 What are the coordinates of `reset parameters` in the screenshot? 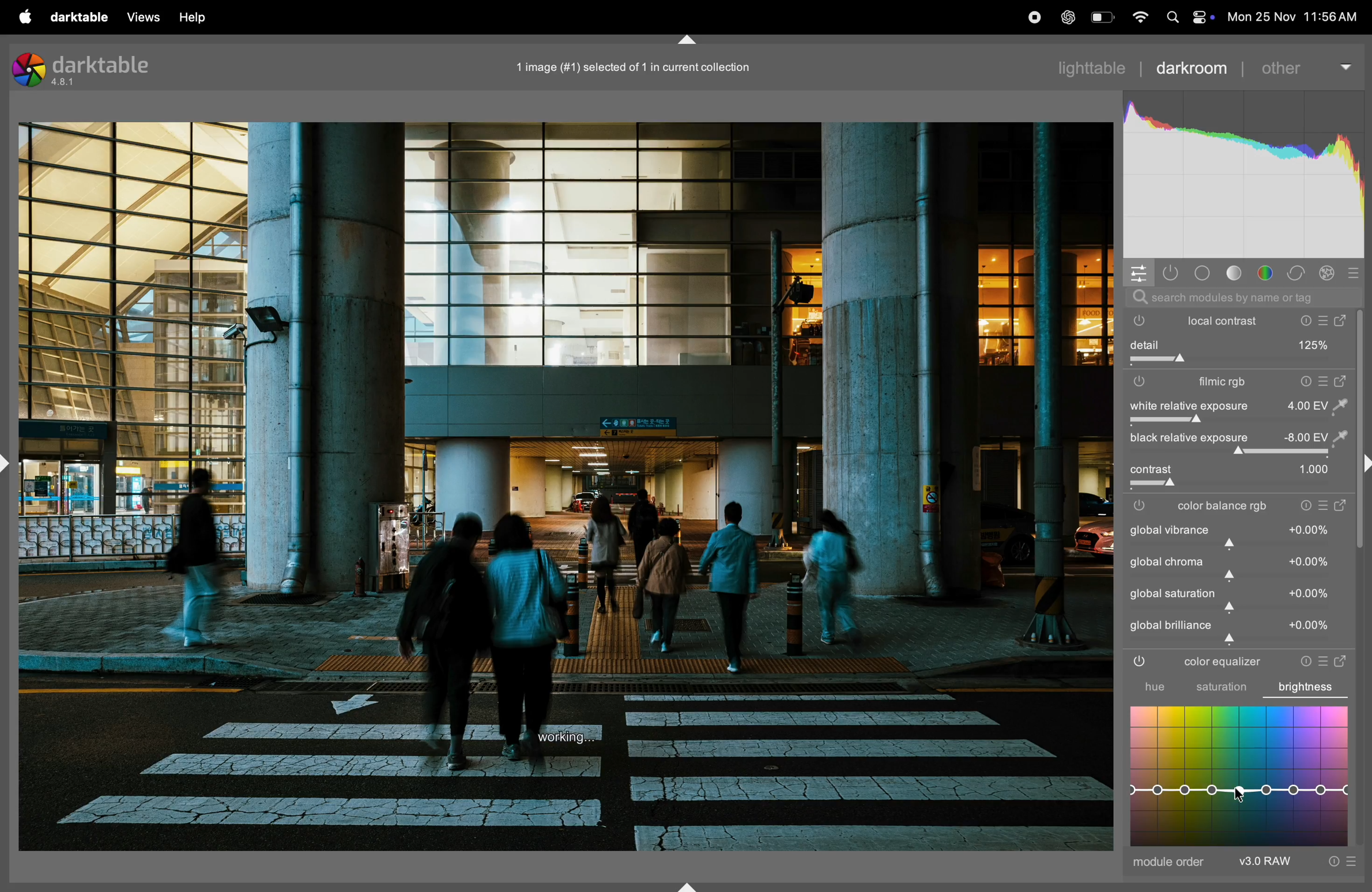 It's located at (1301, 660).